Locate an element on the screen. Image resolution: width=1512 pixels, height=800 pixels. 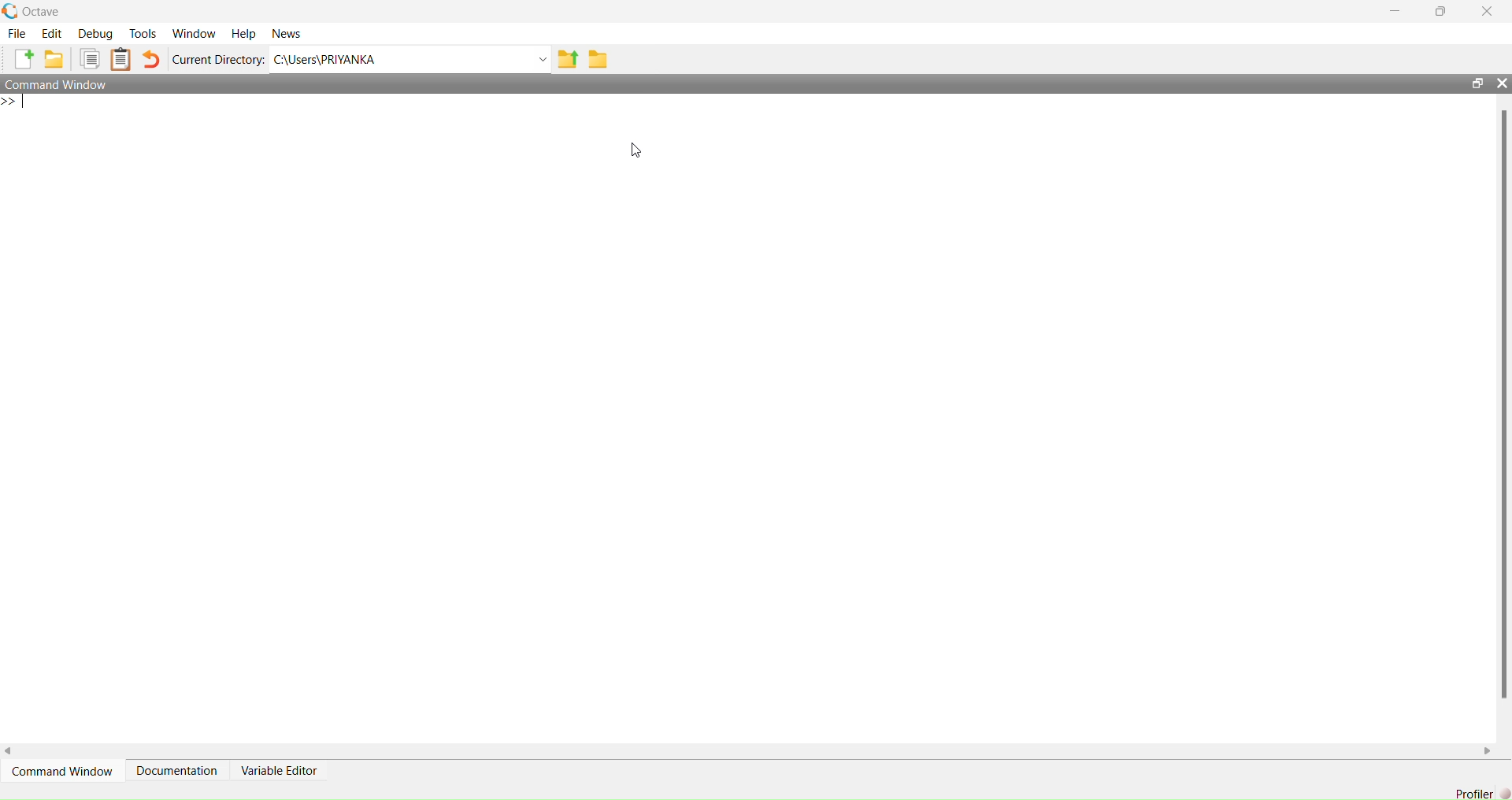
Window is located at coordinates (195, 34).